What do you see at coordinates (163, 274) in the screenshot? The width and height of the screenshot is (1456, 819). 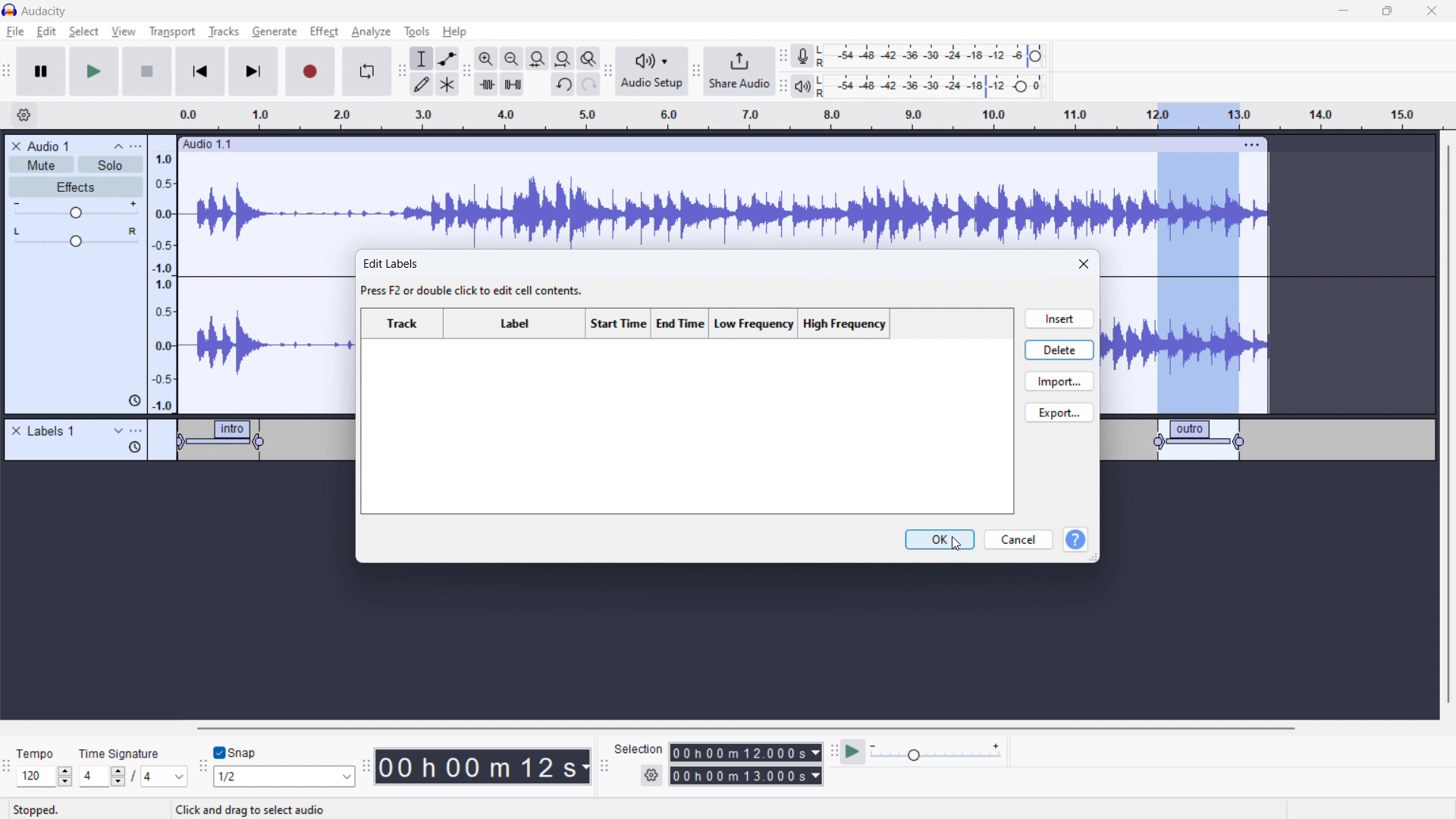 I see `amplitude` at bounding box center [163, 274].